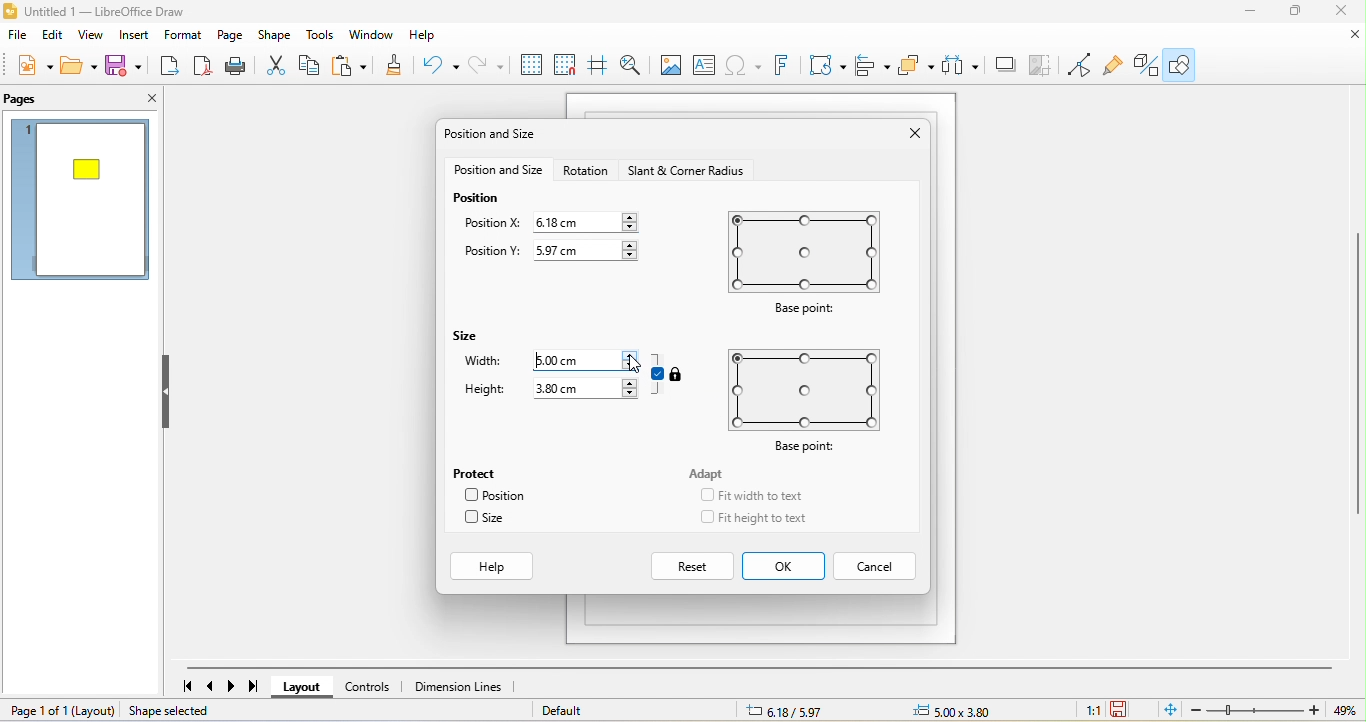 The image size is (1366, 722). What do you see at coordinates (305, 689) in the screenshot?
I see `layout` at bounding box center [305, 689].